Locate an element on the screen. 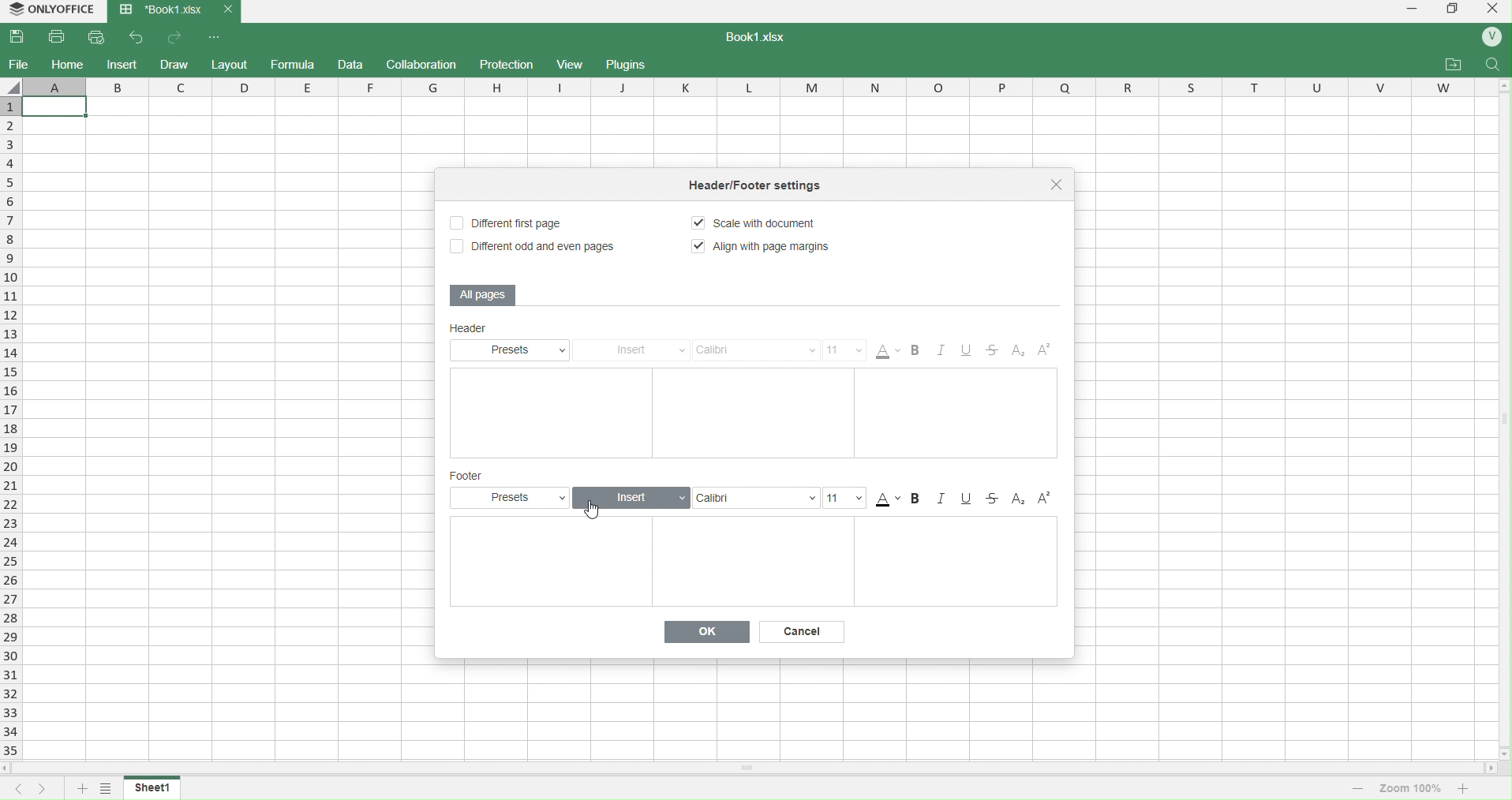 This screenshot has height=800, width=1512. minimize is located at coordinates (1410, 11).